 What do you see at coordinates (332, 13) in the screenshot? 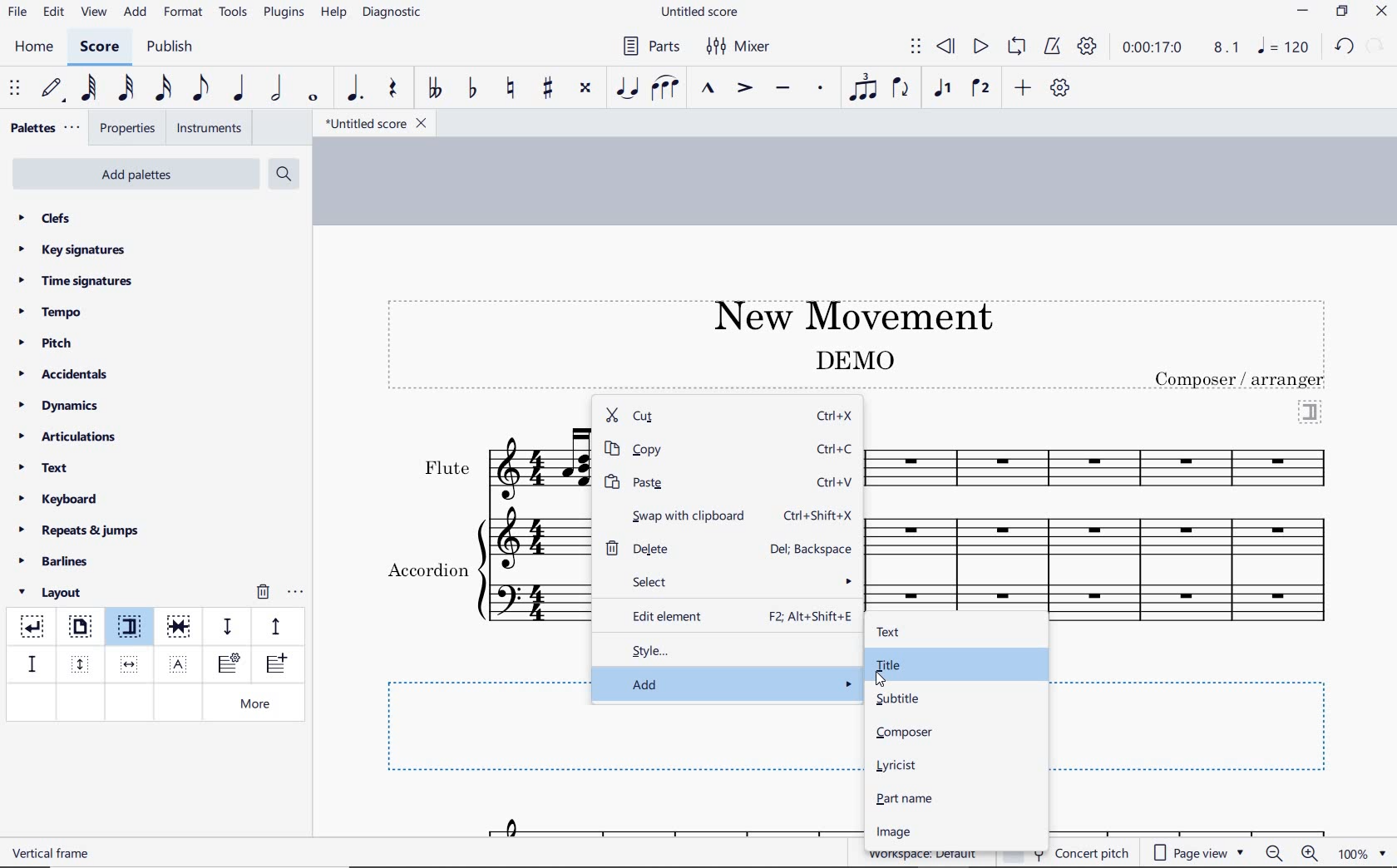
I see `help` at bounding box center [332, 13].